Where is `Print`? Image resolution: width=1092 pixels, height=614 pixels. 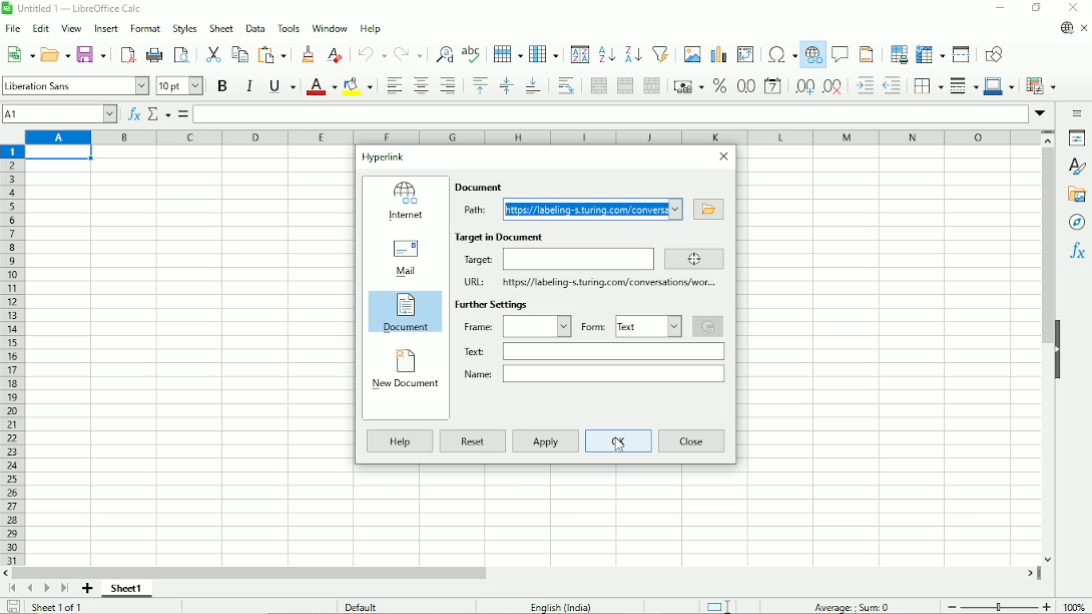
Print is located at coordinates (154, 55).